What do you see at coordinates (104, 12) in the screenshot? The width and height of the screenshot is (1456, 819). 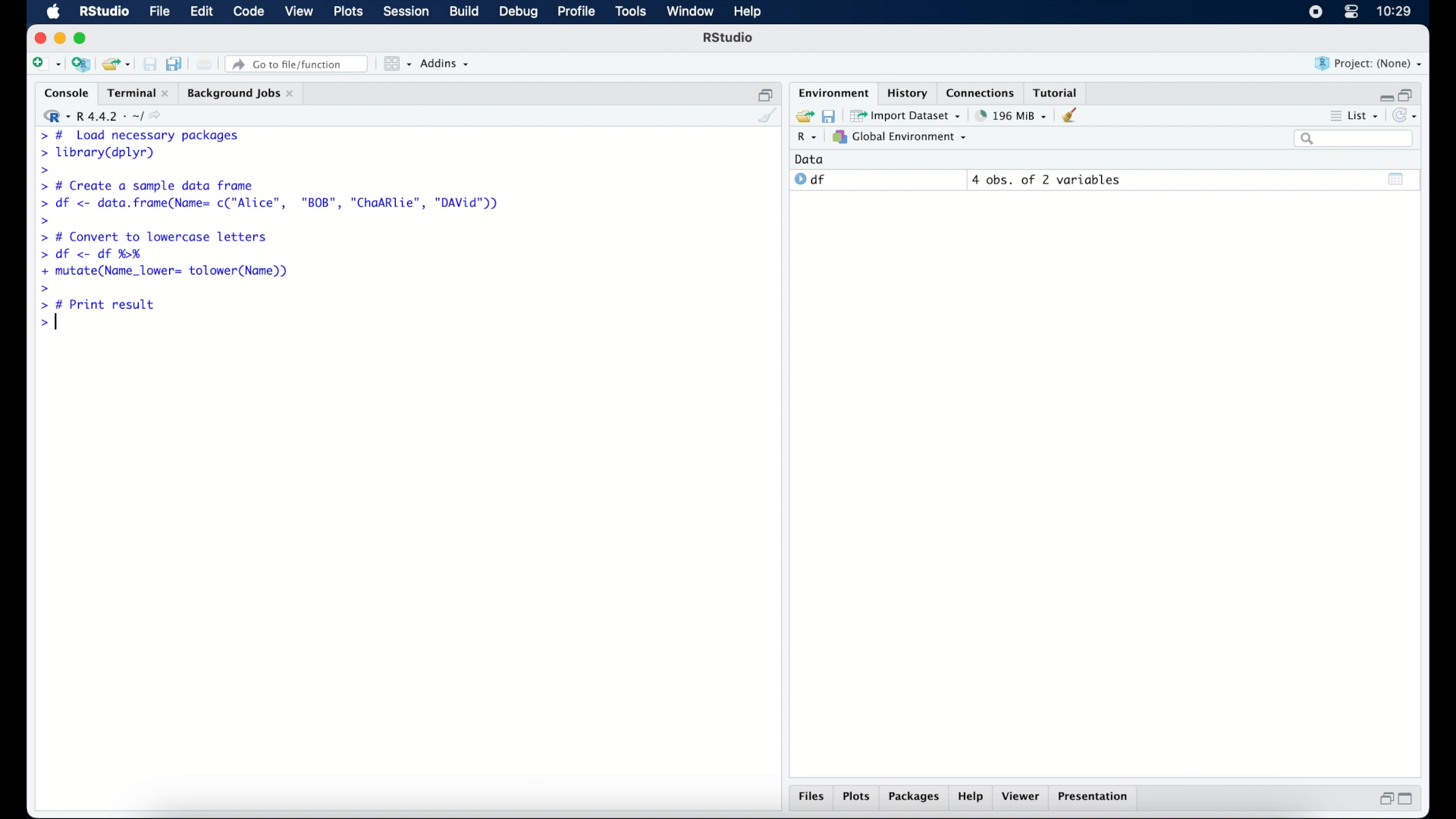 I see `R Studio` at bounding box center [104, 12].